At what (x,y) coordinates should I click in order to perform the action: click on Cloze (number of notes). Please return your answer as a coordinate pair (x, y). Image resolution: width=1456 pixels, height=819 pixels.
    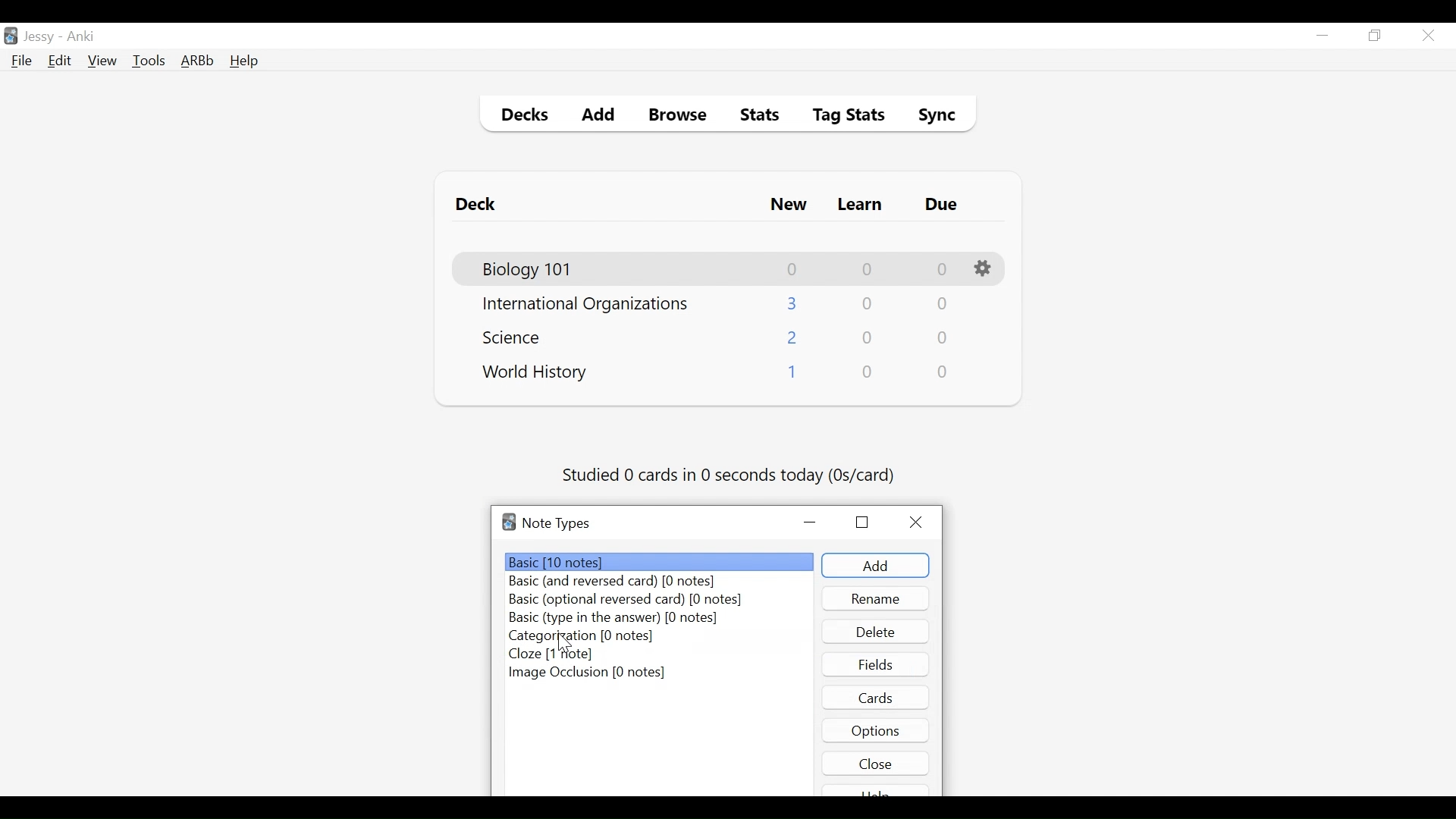
    Looking at the image, I should click on (556, 654).